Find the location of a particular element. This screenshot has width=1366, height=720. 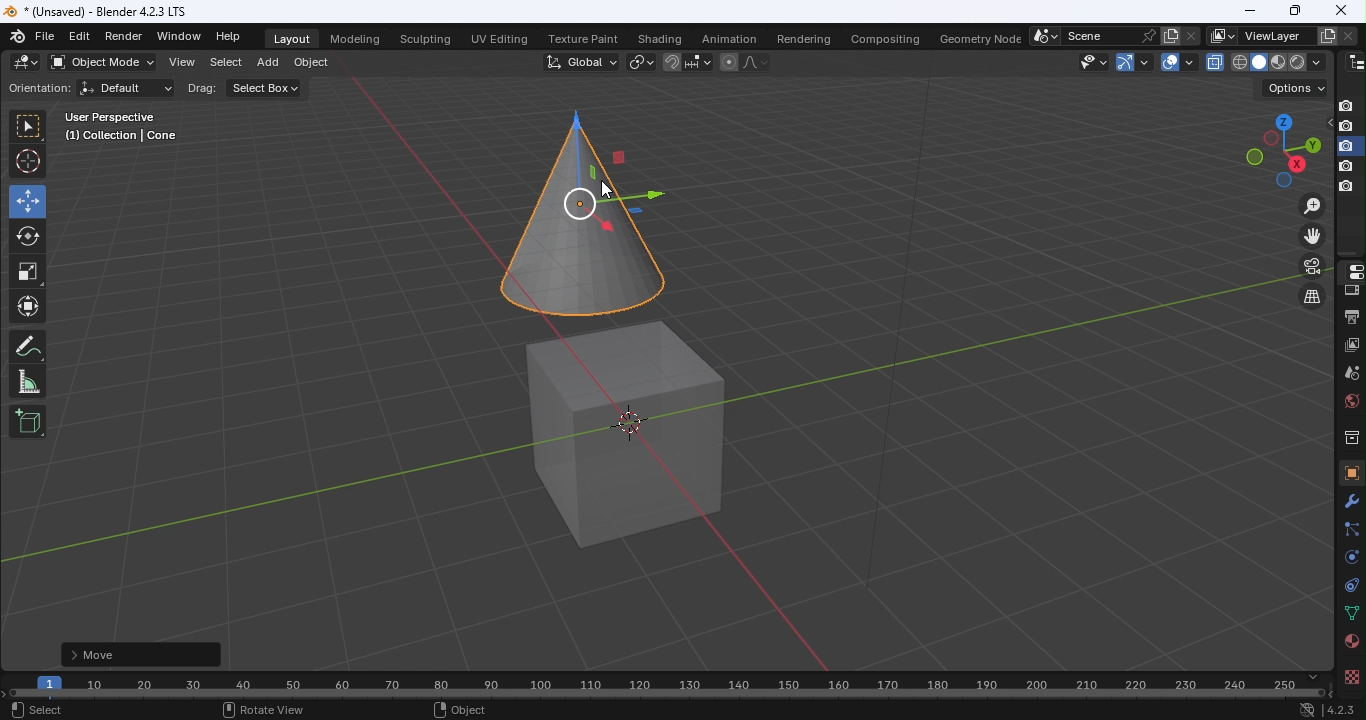

Default is located at coordinates (126, 88).